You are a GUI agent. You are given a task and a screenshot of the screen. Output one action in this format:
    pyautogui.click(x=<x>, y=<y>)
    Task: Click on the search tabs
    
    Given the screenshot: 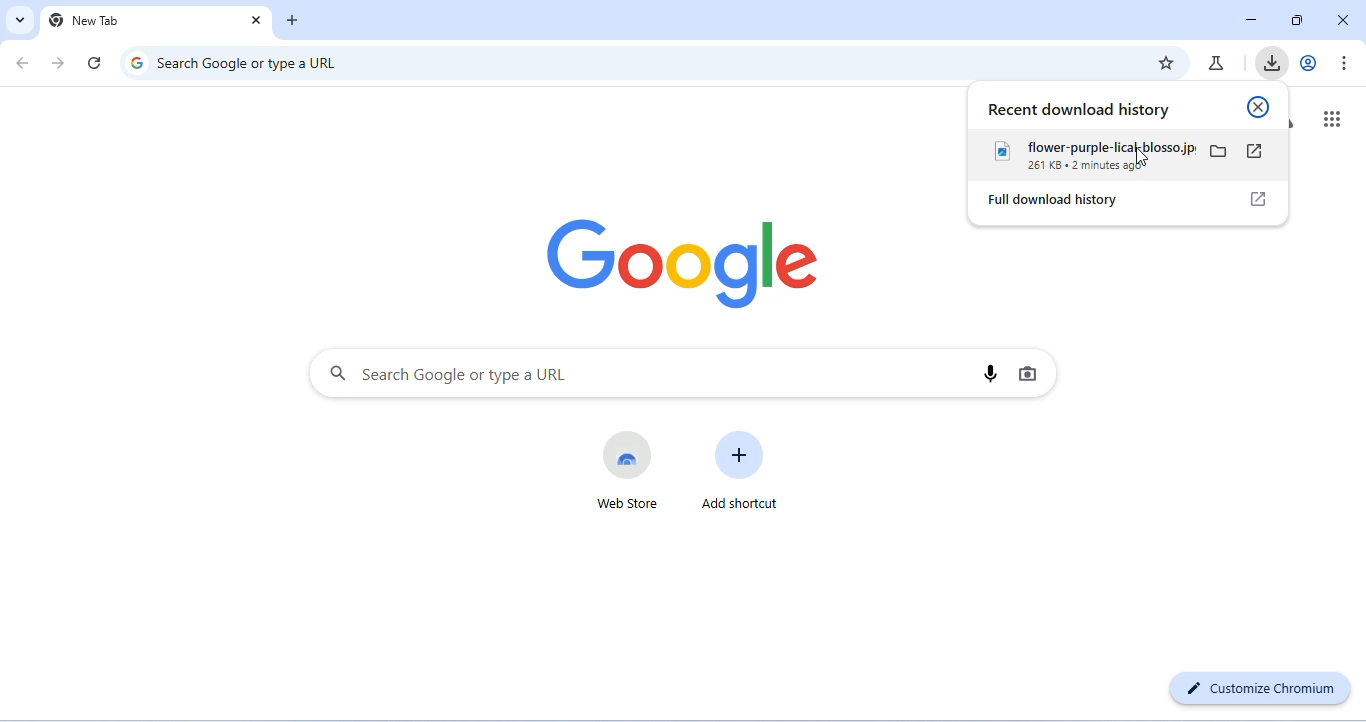 What is the action you would take?
    pyautogui.click(x=21, y=20)
    